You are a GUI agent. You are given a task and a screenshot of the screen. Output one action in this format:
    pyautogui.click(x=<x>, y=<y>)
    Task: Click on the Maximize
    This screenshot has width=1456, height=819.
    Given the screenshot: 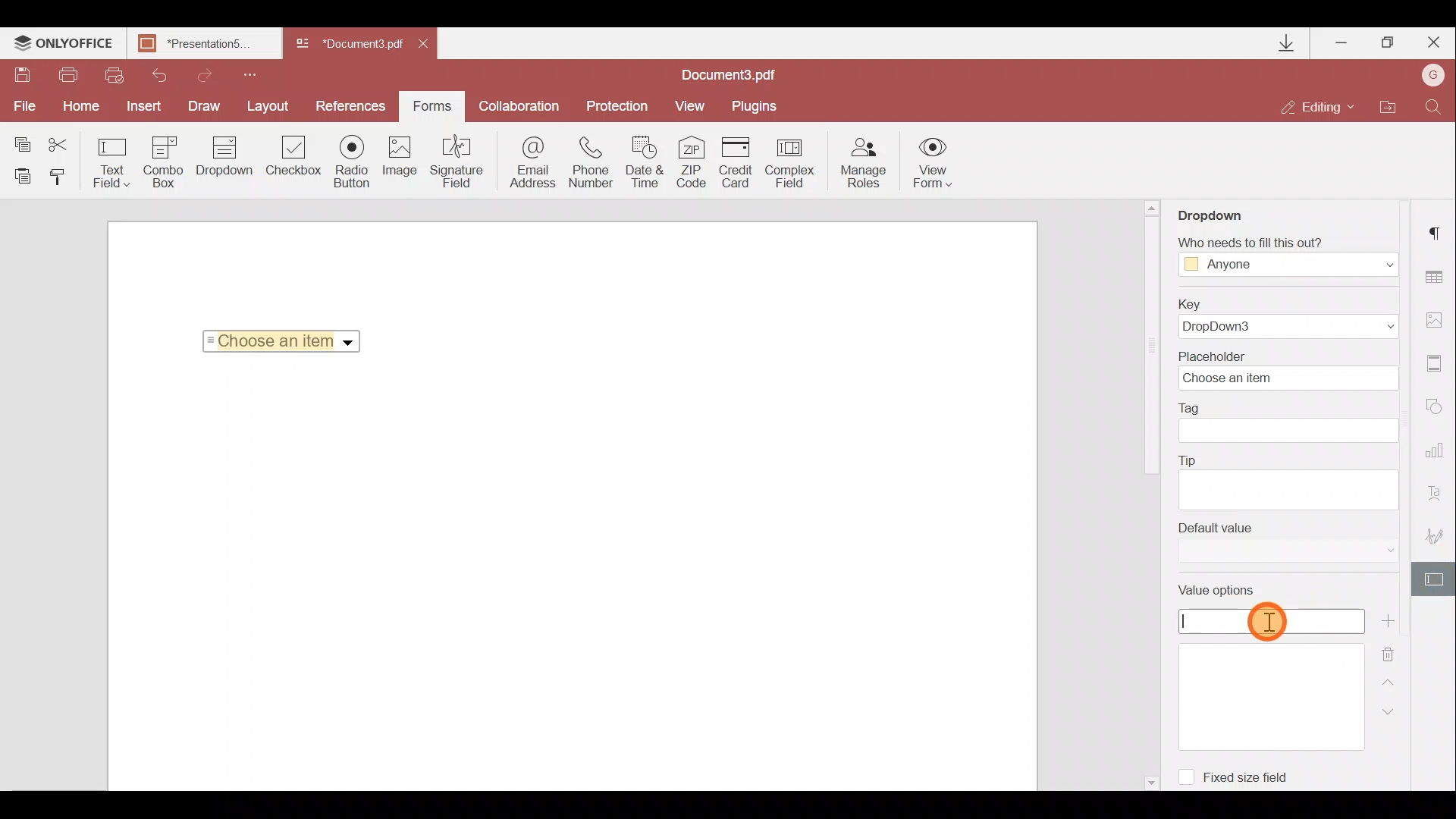 What is the action you would take?
    pyautogui.click(x=1387, y=45)
    